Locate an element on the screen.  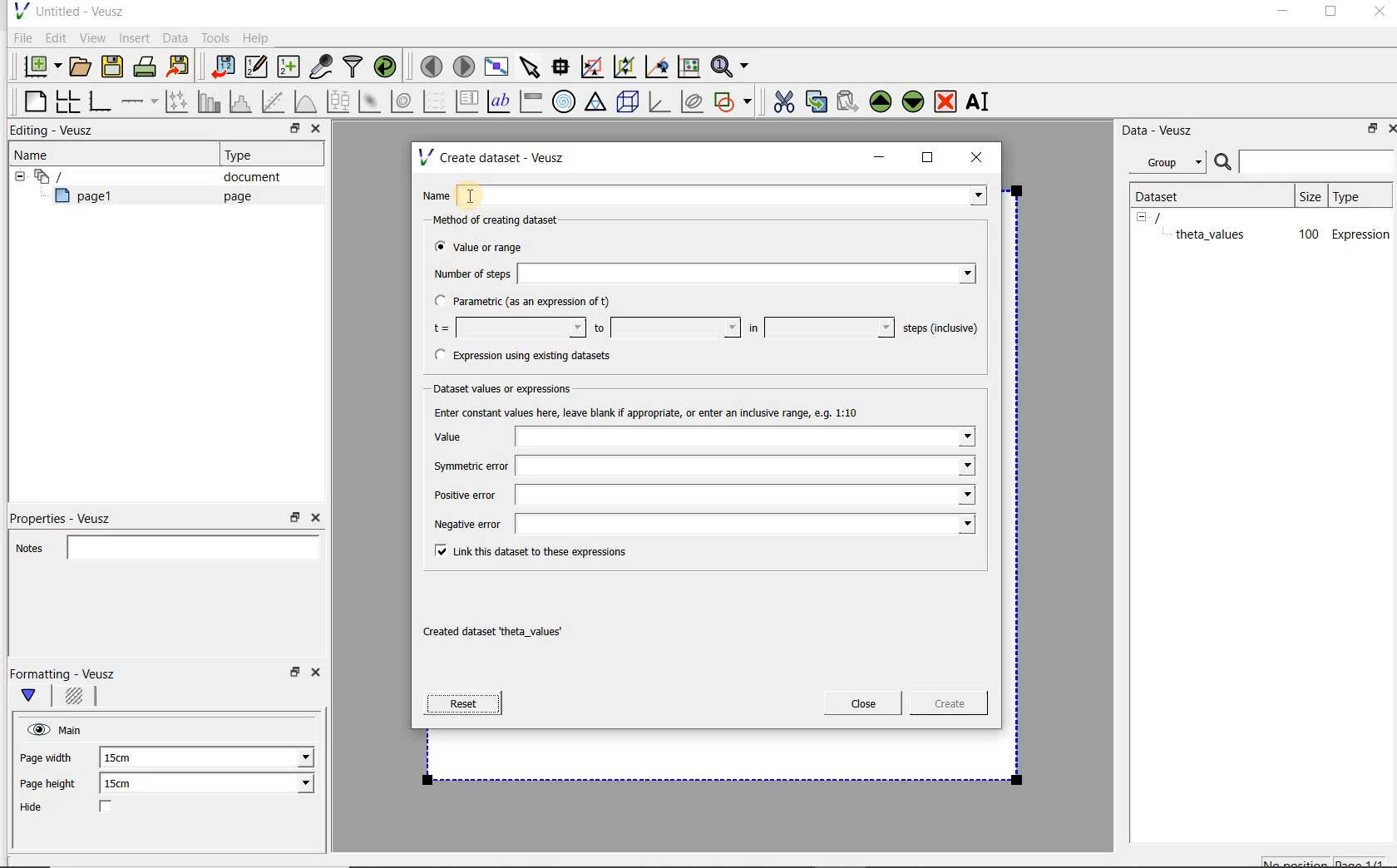
plot key is located at coordinates (468, 101).